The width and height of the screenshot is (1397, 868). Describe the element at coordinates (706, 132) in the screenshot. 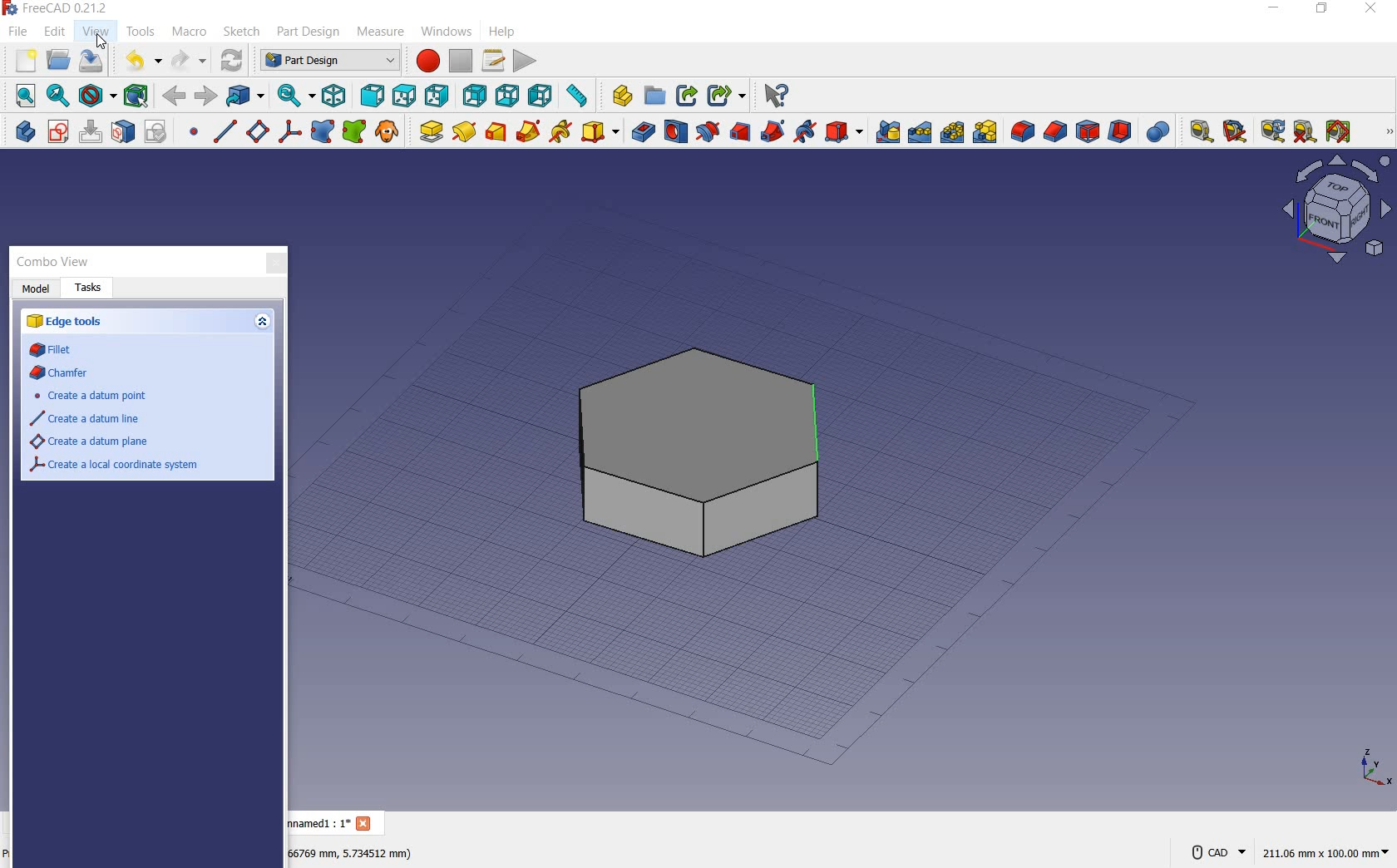

I see `groove` at that location.